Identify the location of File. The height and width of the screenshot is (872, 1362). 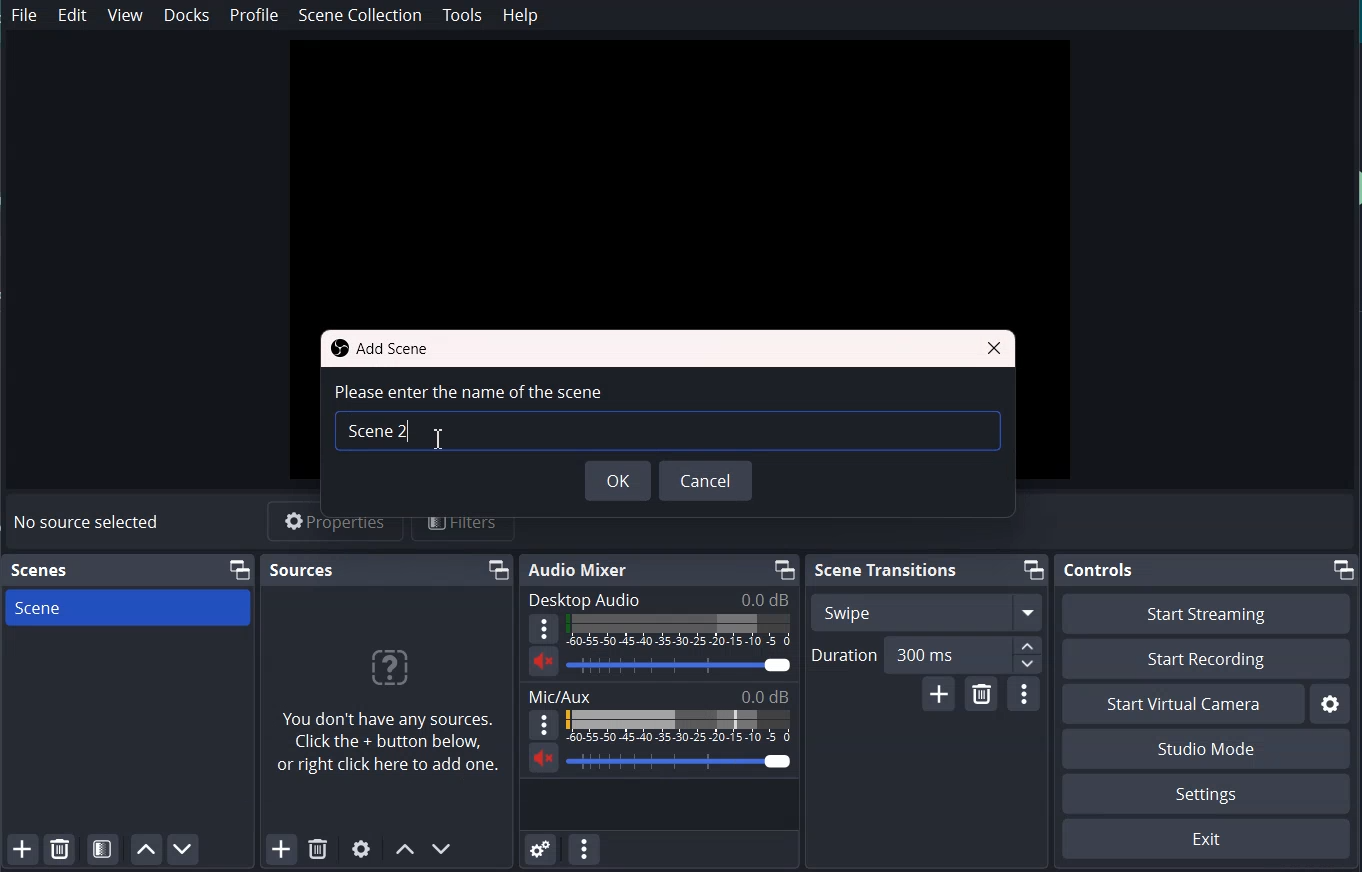
(26, 16).